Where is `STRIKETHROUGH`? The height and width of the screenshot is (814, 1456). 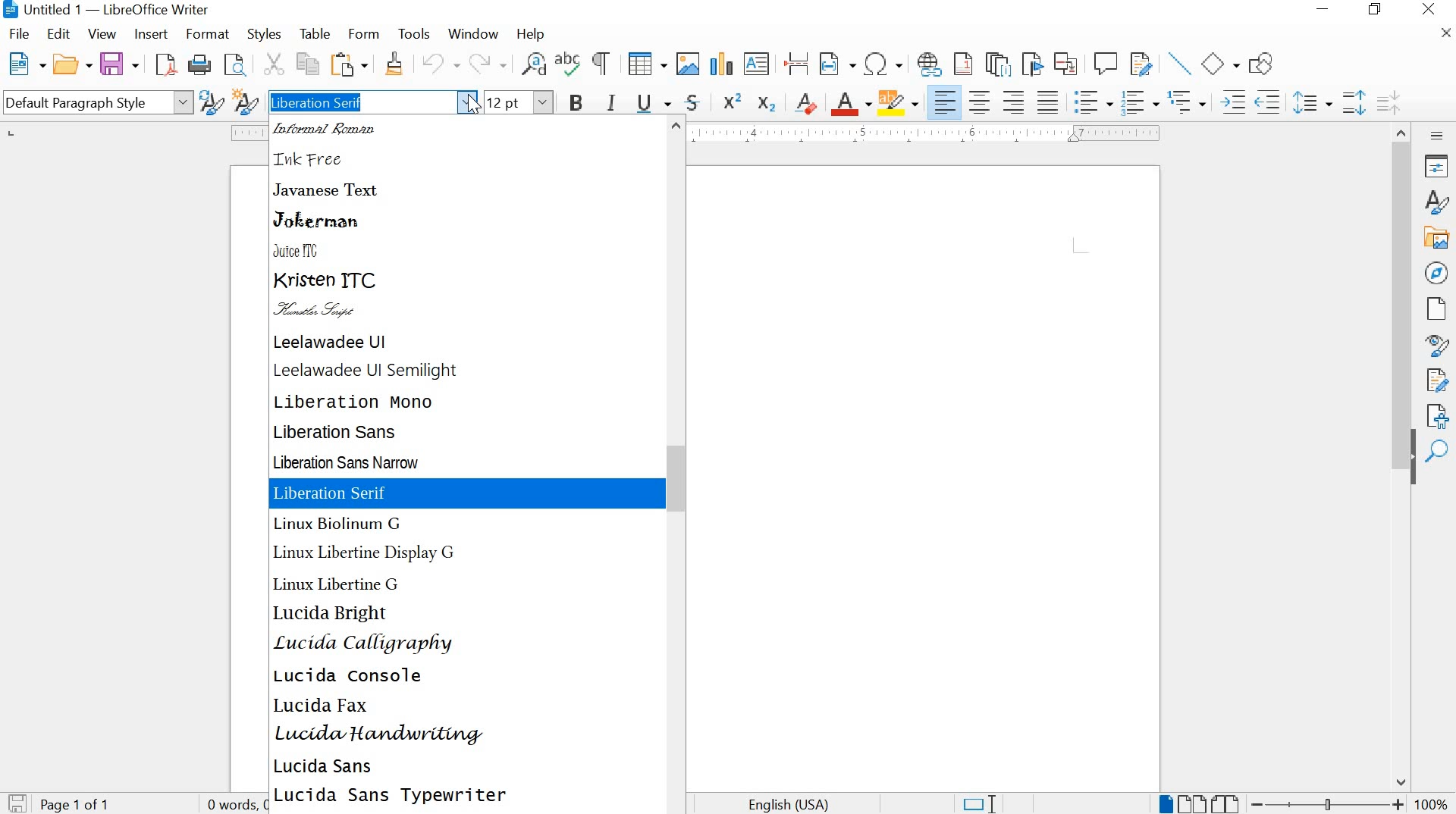 STRIKETHROUGH is located at coordinates (692, 105).